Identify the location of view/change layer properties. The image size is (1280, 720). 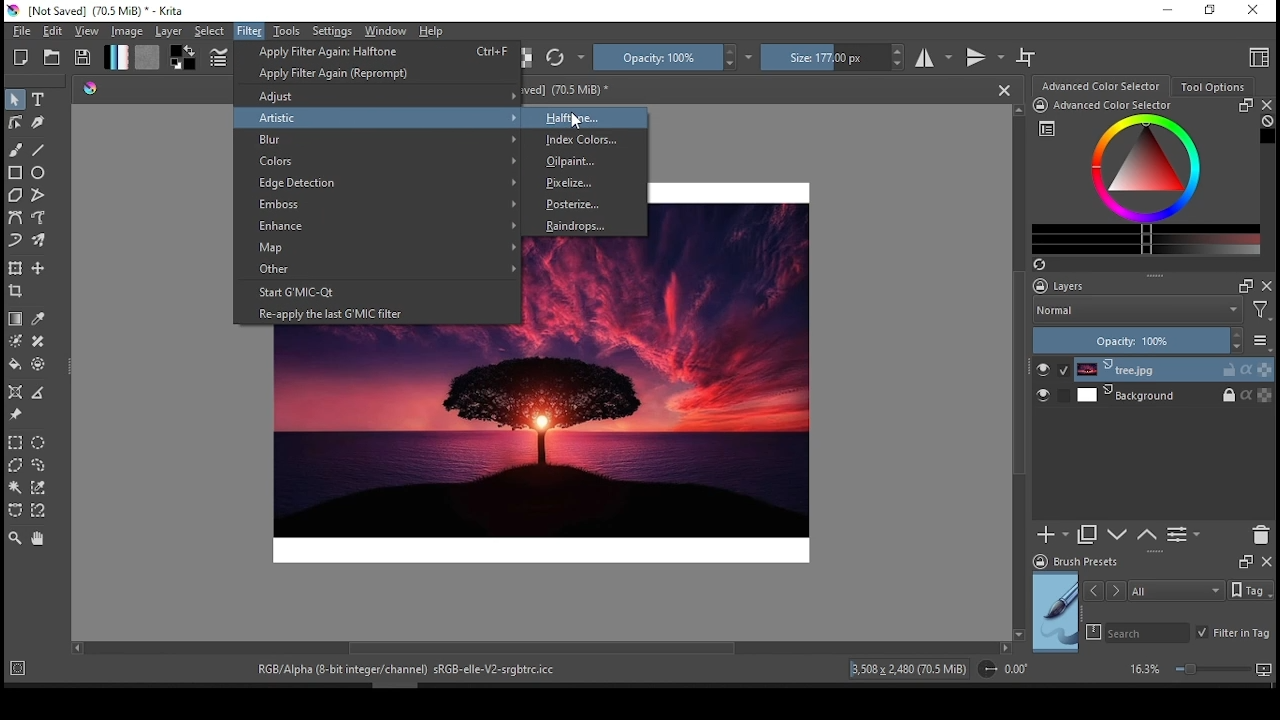
(1188, 535).